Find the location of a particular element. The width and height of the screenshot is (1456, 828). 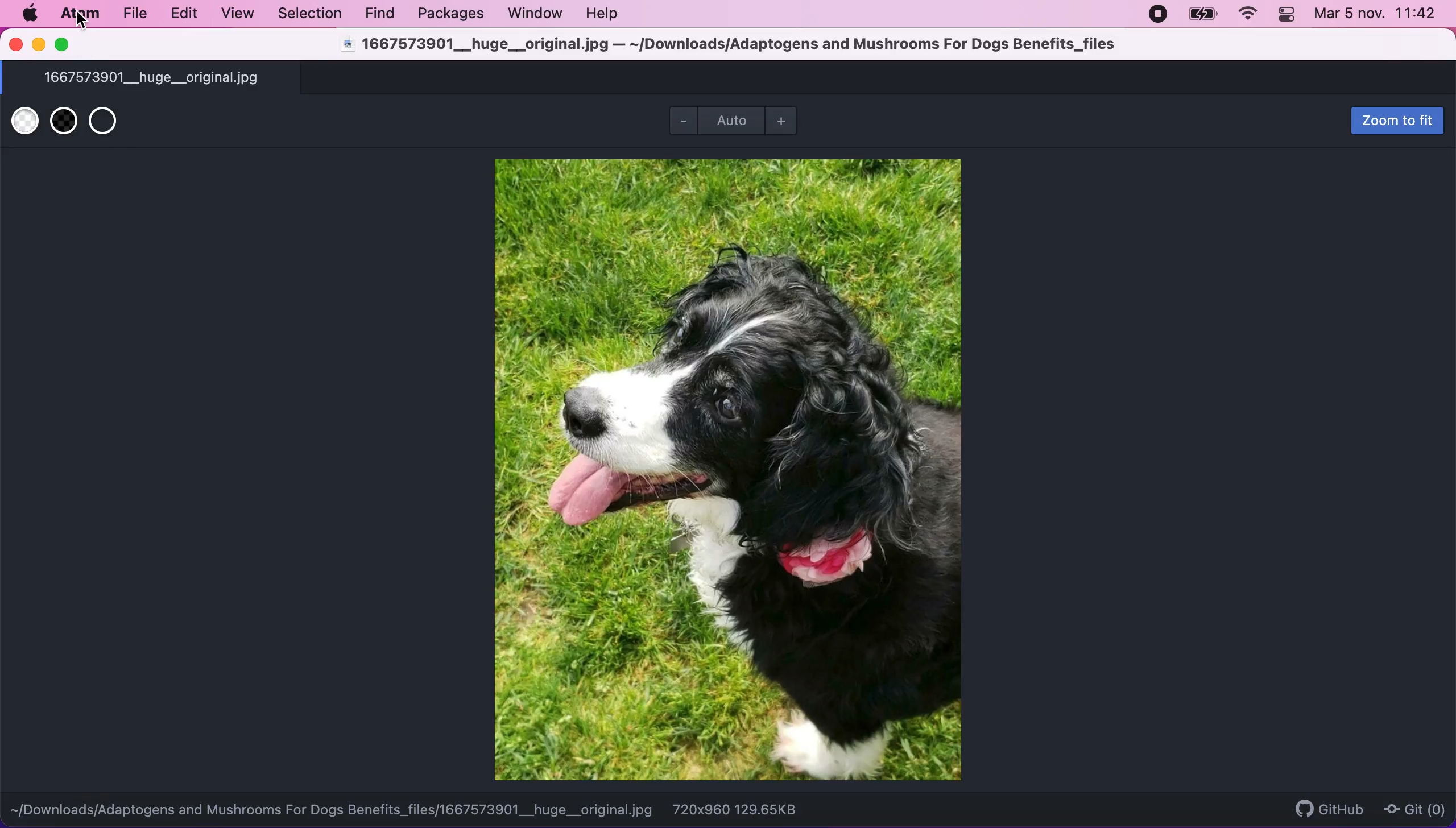

mac logo is located at coordinates (29, 15).